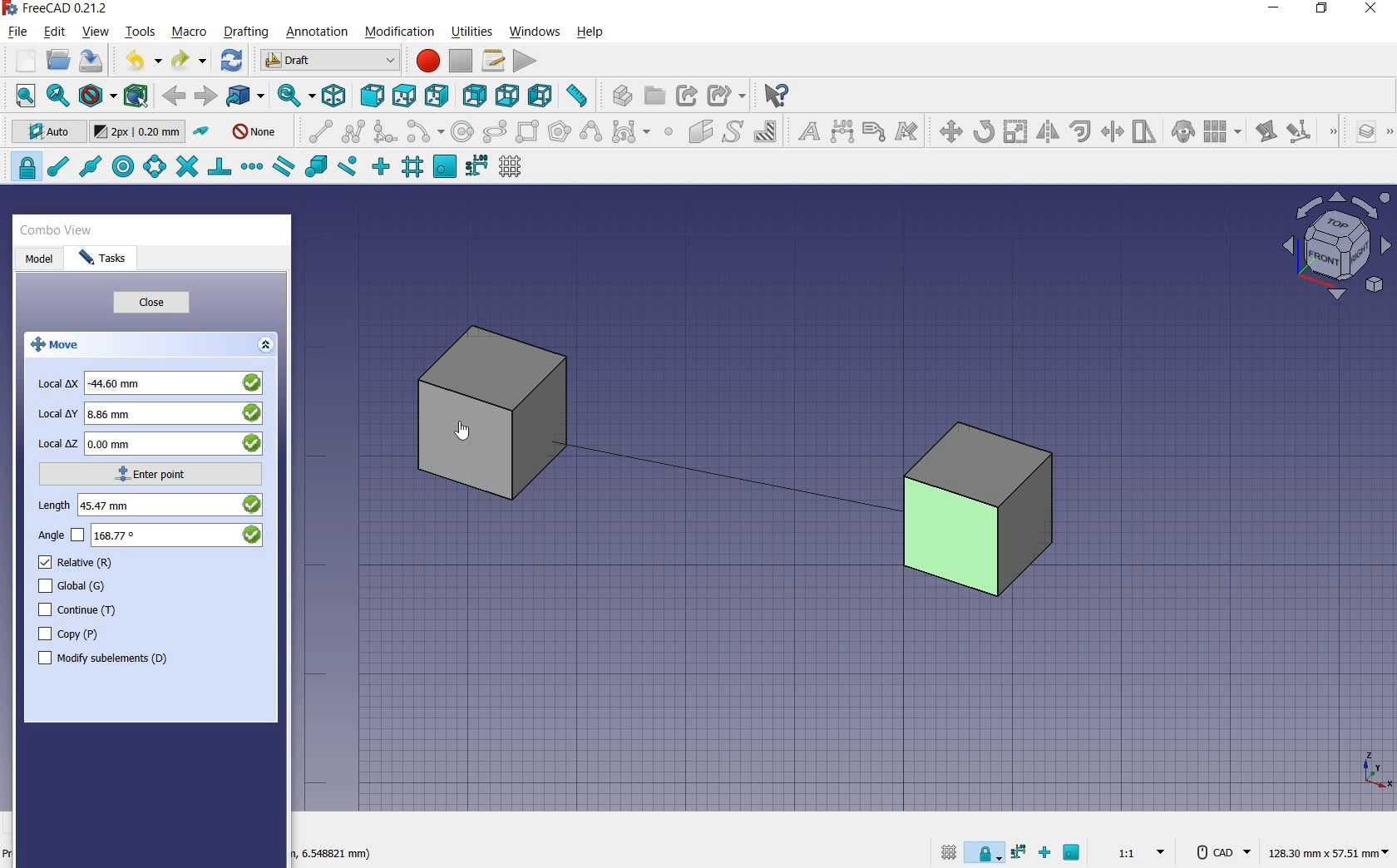  I want to click on local z, so click(152, 442).